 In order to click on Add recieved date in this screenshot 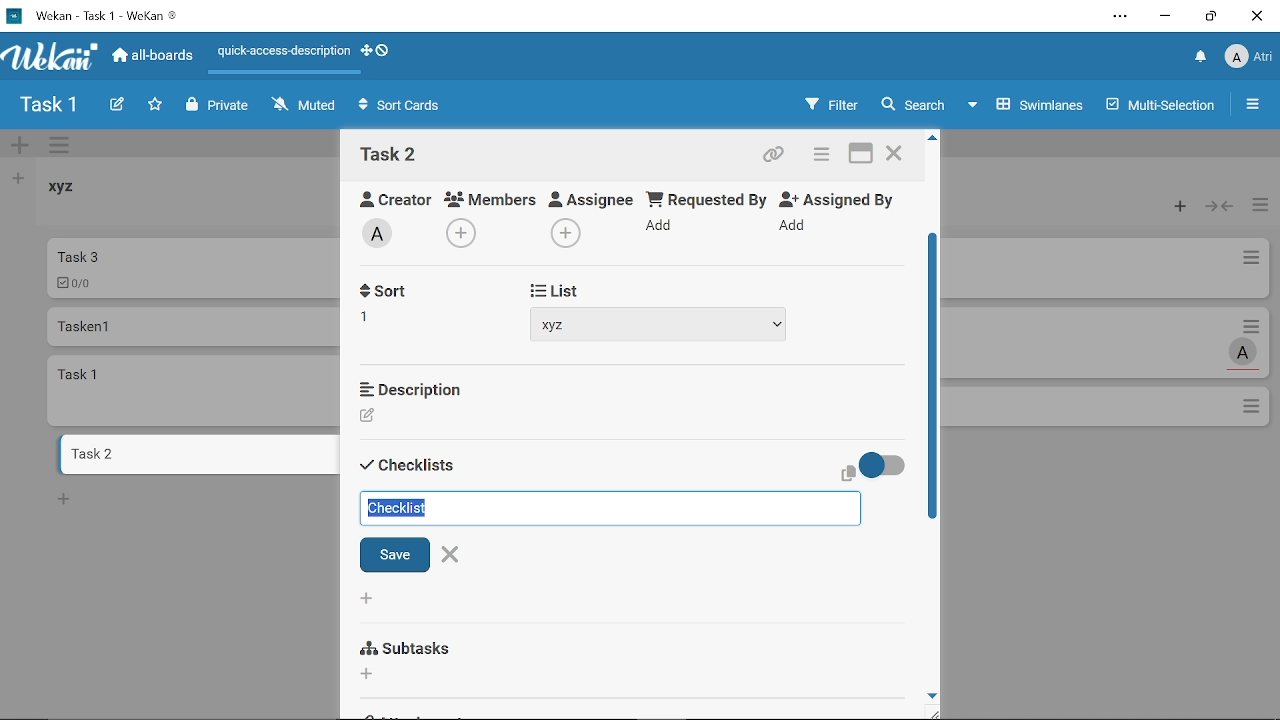, I will do `click(376, 321)`.